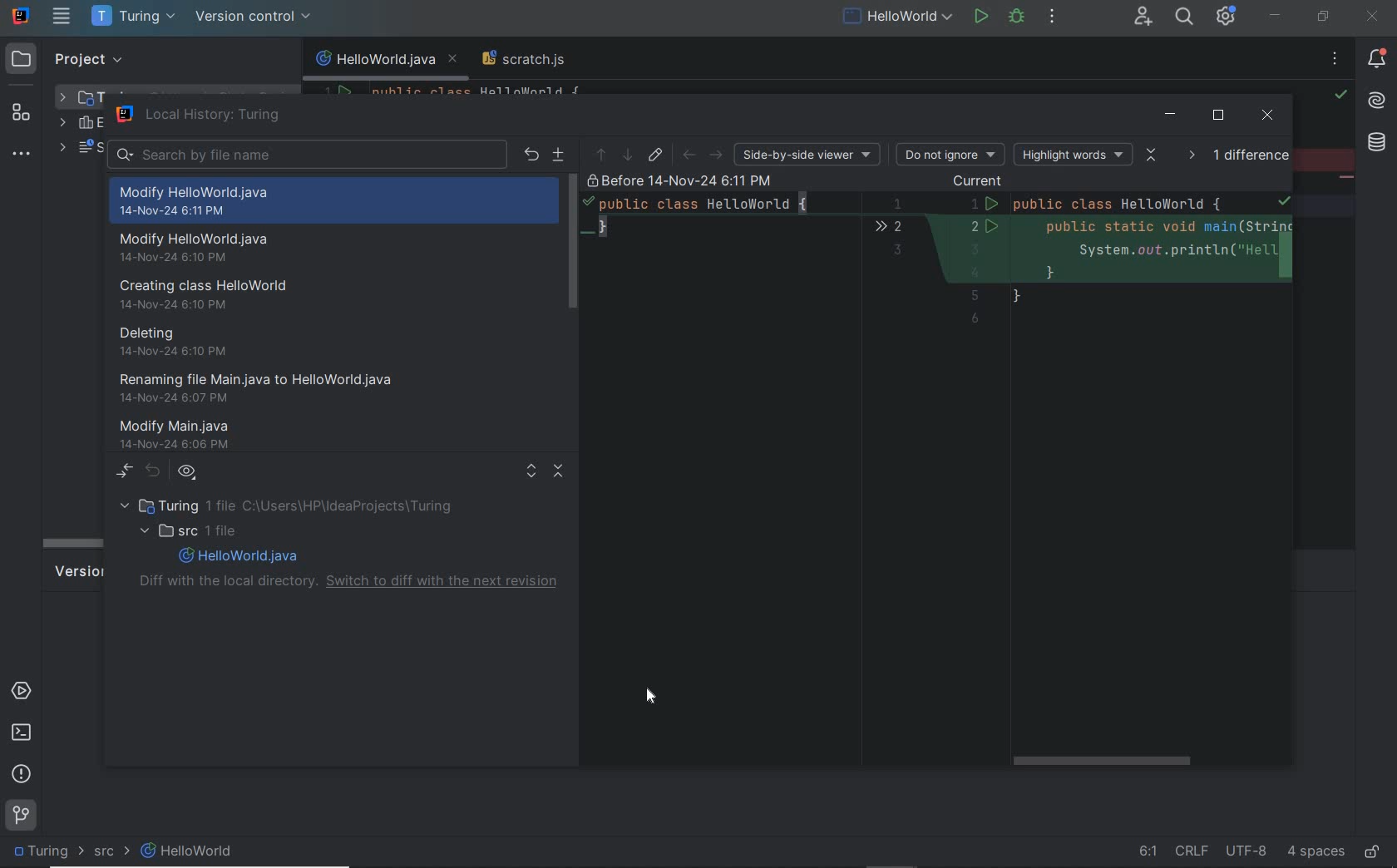 The image size is (1397, 868). Describe the element at coordinates (654, 156) in the screenshot. I see `jump to source` at that location.